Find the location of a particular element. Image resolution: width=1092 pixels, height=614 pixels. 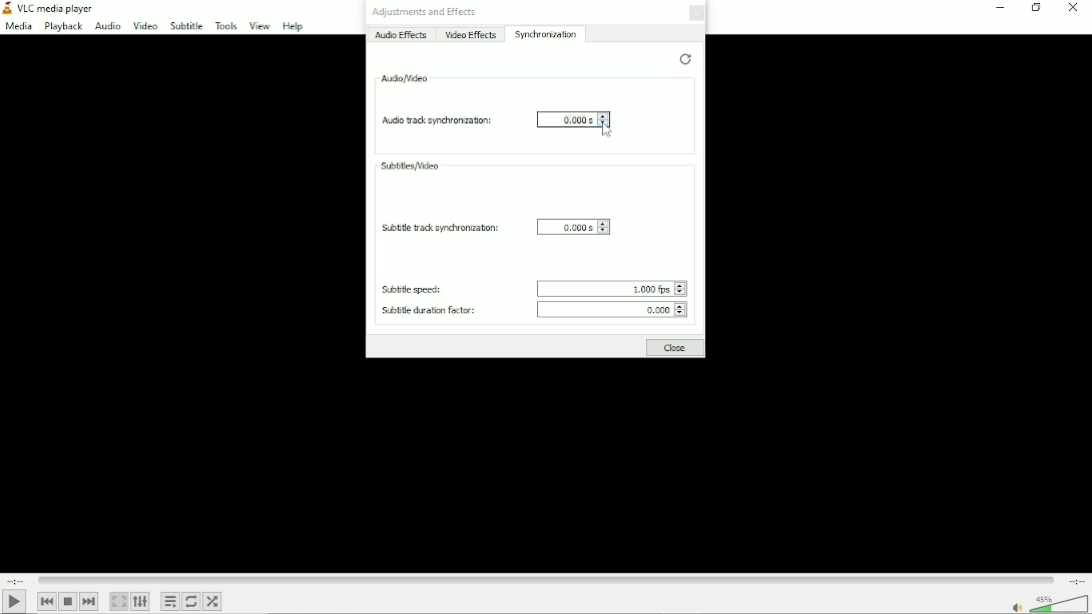

Media is located at coordinates (18, 27).